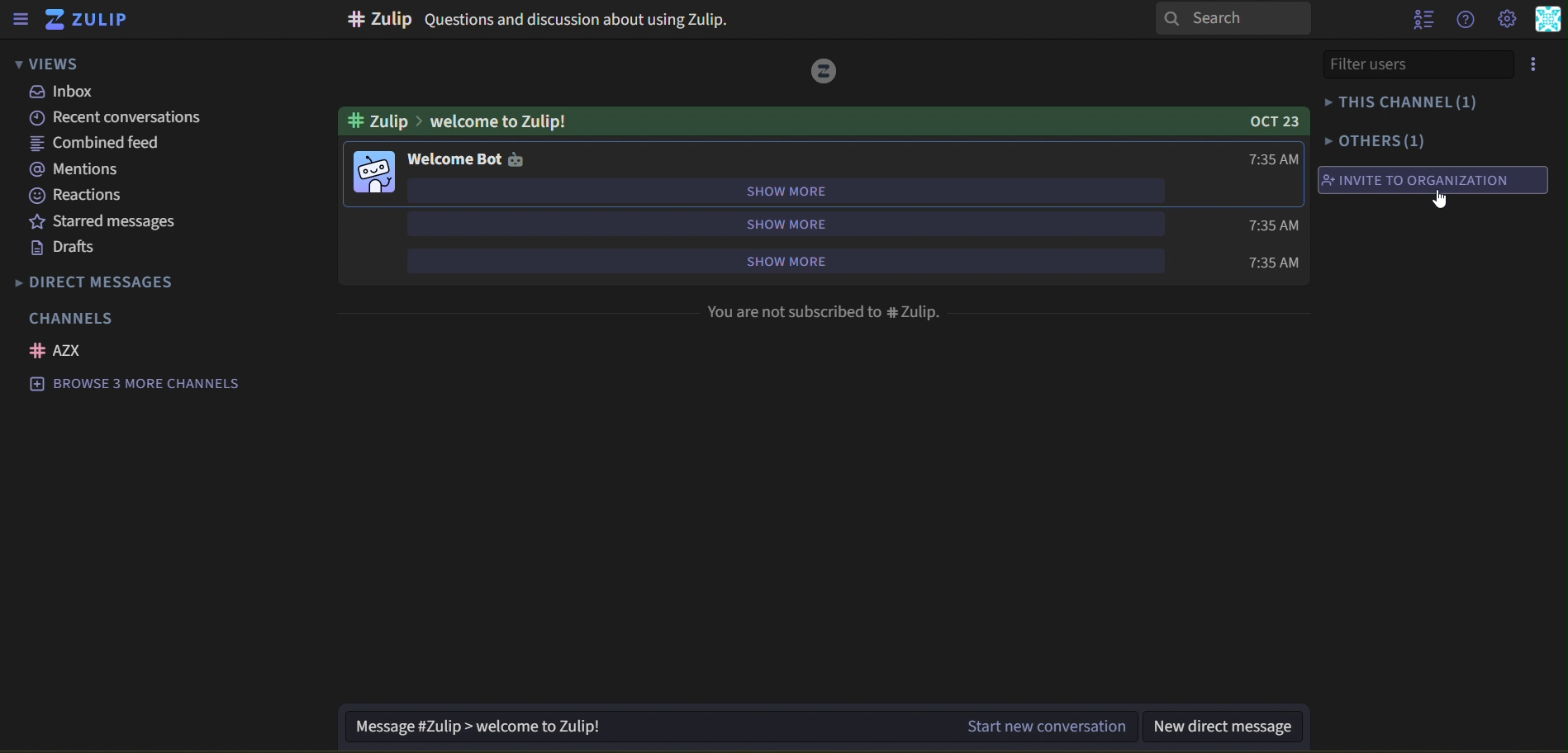 The image size is (1568, 753). I want to click on personal menu, so click(1549, 20).